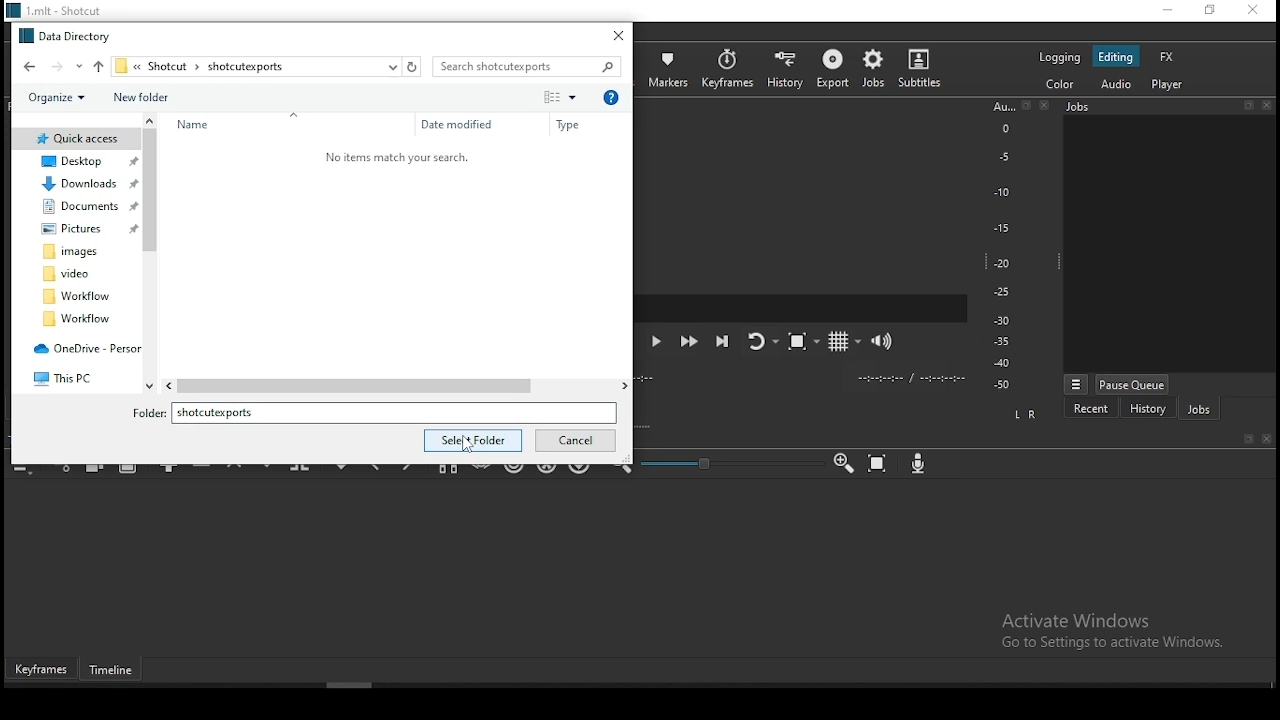 This screenshot has width=1280, height=720. Describe the element at coordinates (1167, 56) in the screenshot. I see `fx` at that location.